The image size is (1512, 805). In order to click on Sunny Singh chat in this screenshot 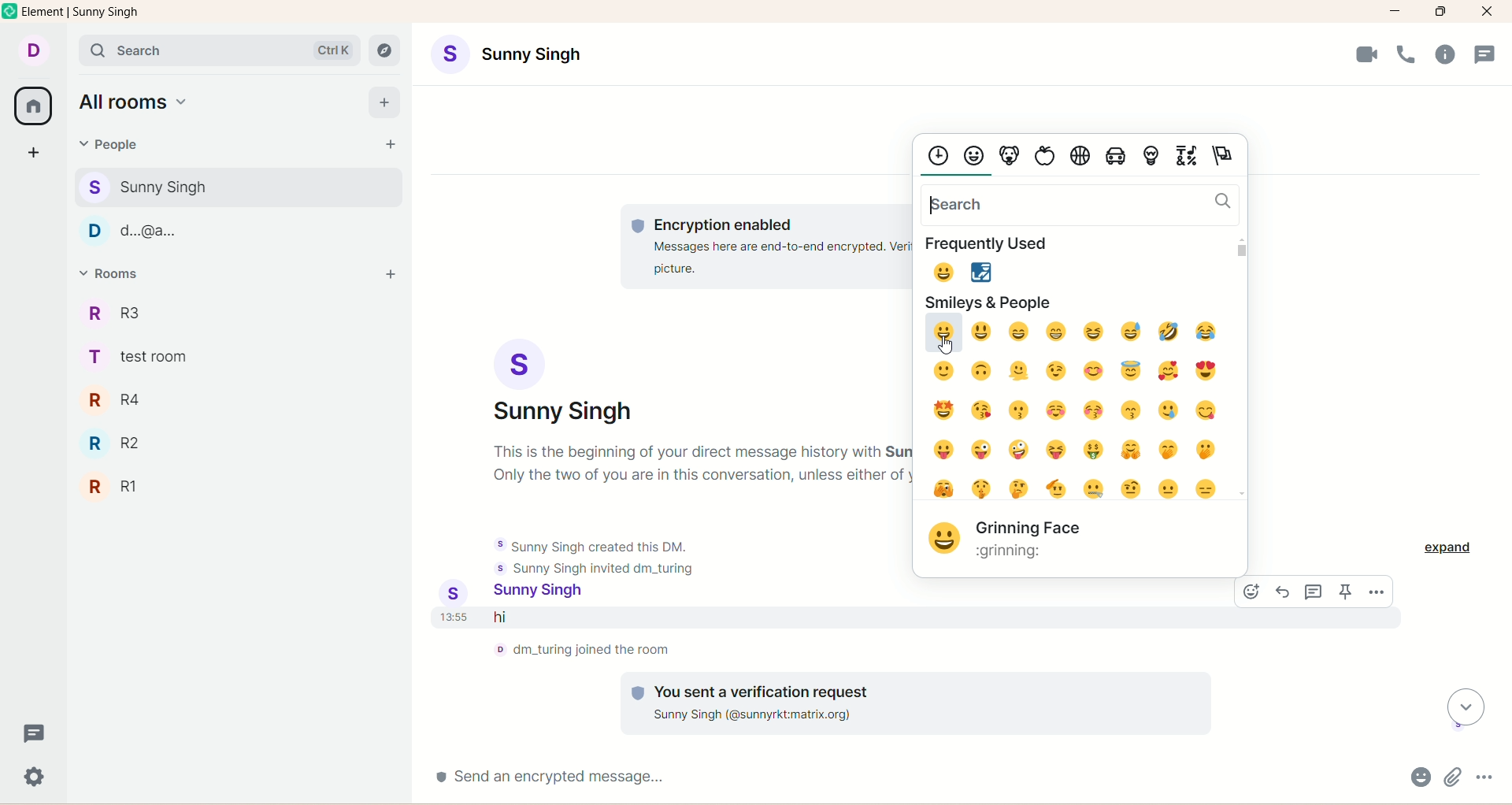, I will do `click(238, 187)`.